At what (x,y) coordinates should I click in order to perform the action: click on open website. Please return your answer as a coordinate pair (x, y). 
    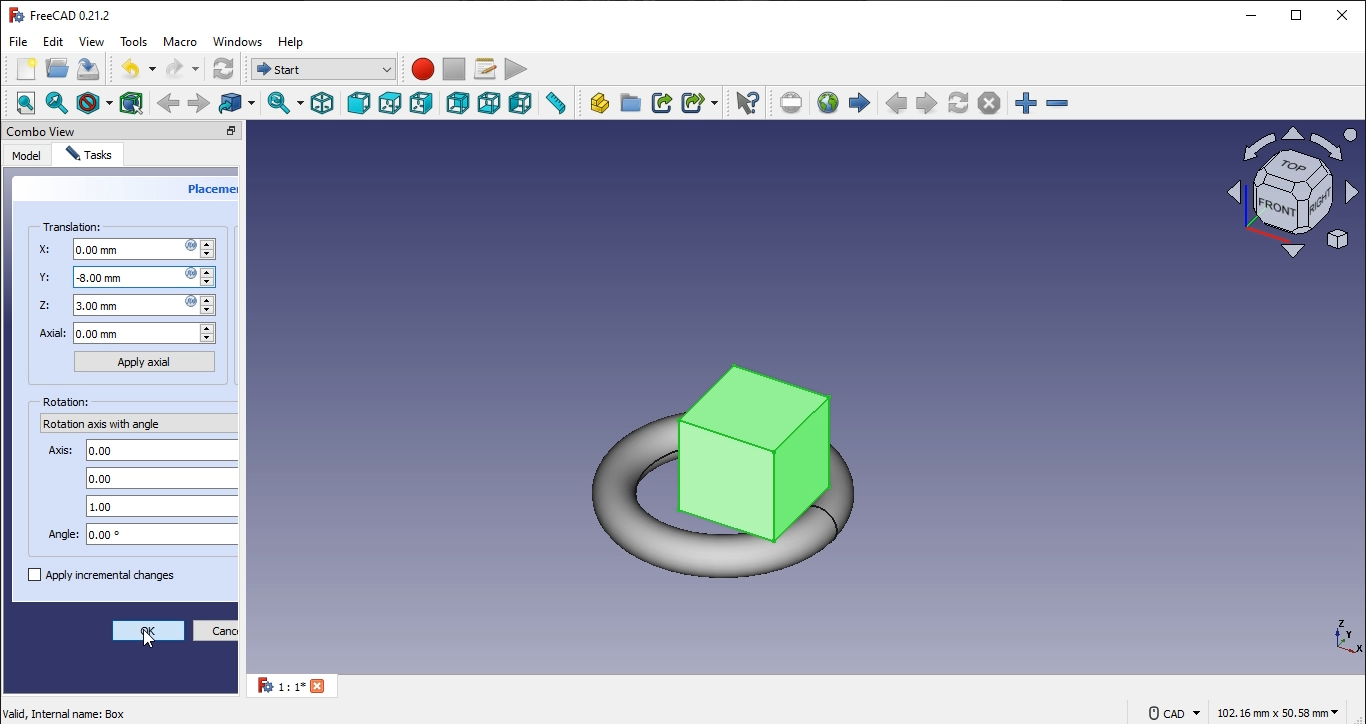
    Looking at the image, I should click on (827, 101).